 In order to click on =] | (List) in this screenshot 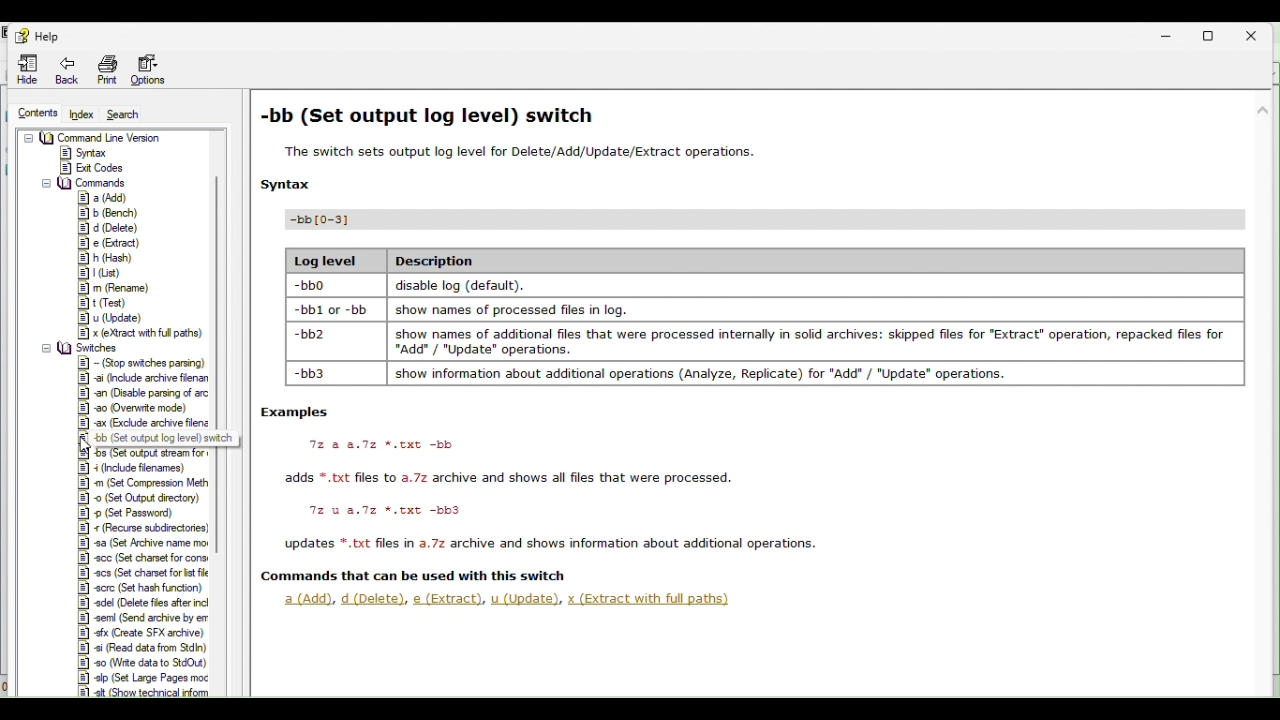, I will do `click(101, 273)`.